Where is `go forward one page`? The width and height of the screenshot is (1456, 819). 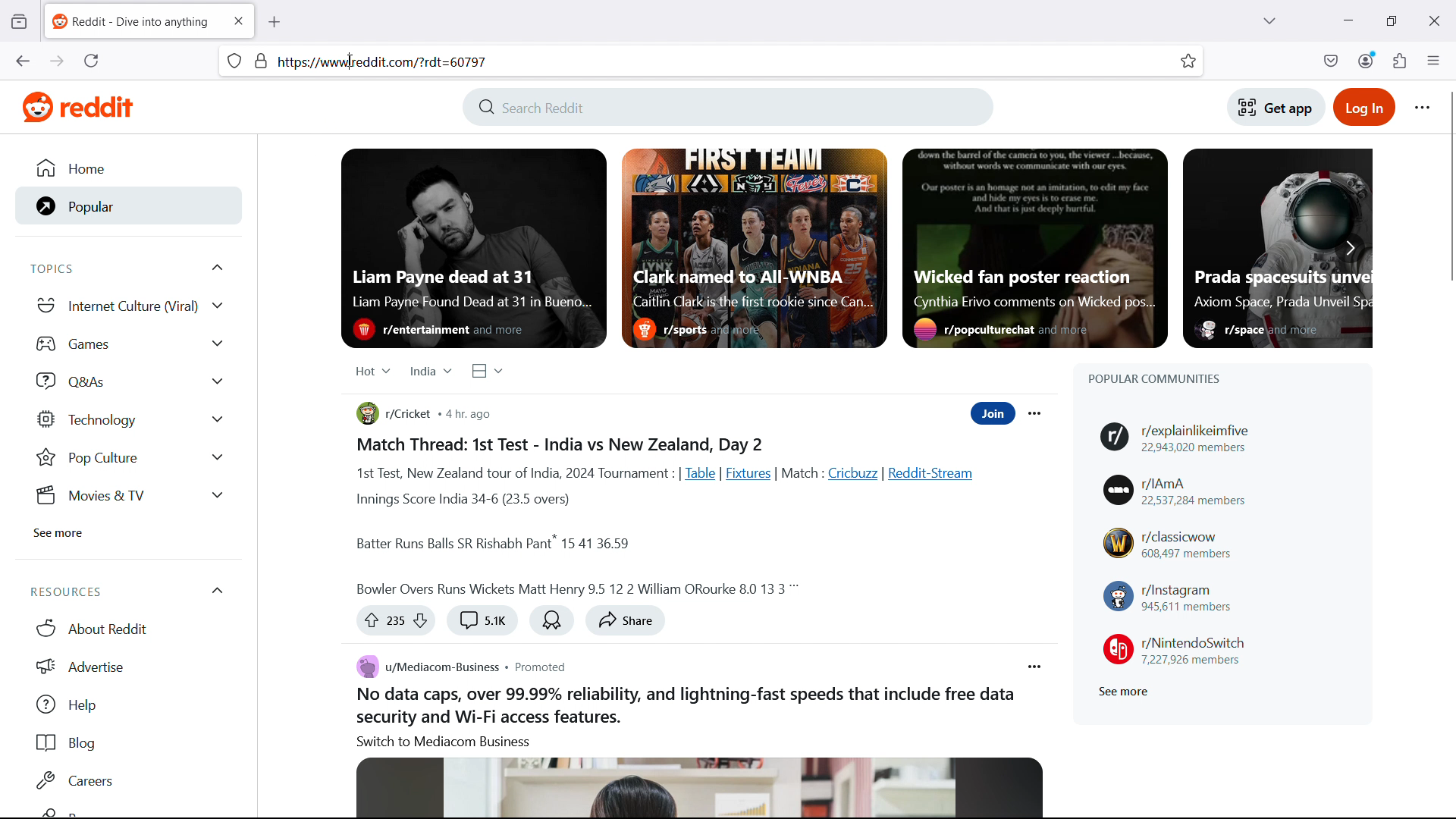 go forward one page is located at coordinates (57, 60).